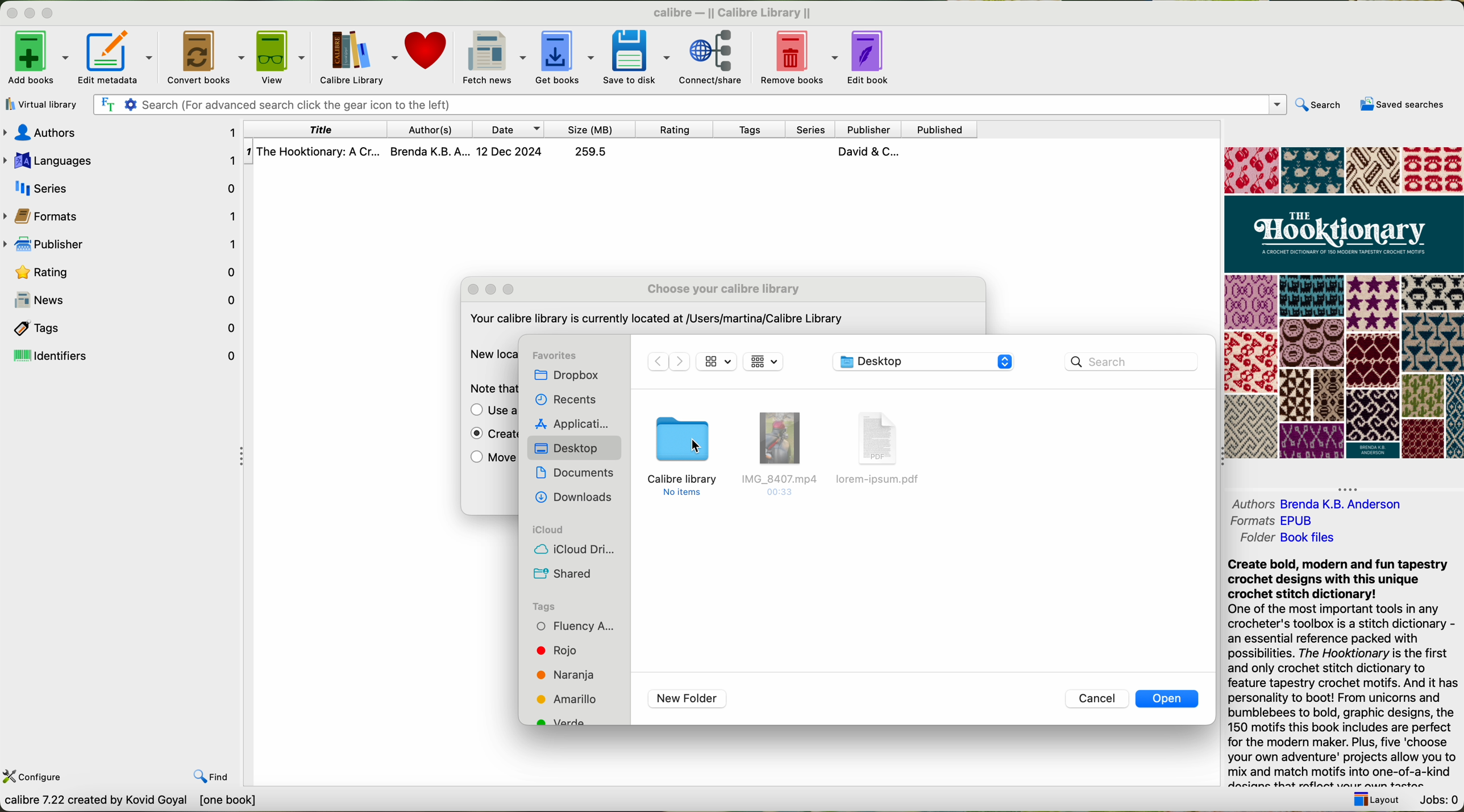 This screenshot has height=812, width=1464. I want to click on search bar, so click(717, 103).